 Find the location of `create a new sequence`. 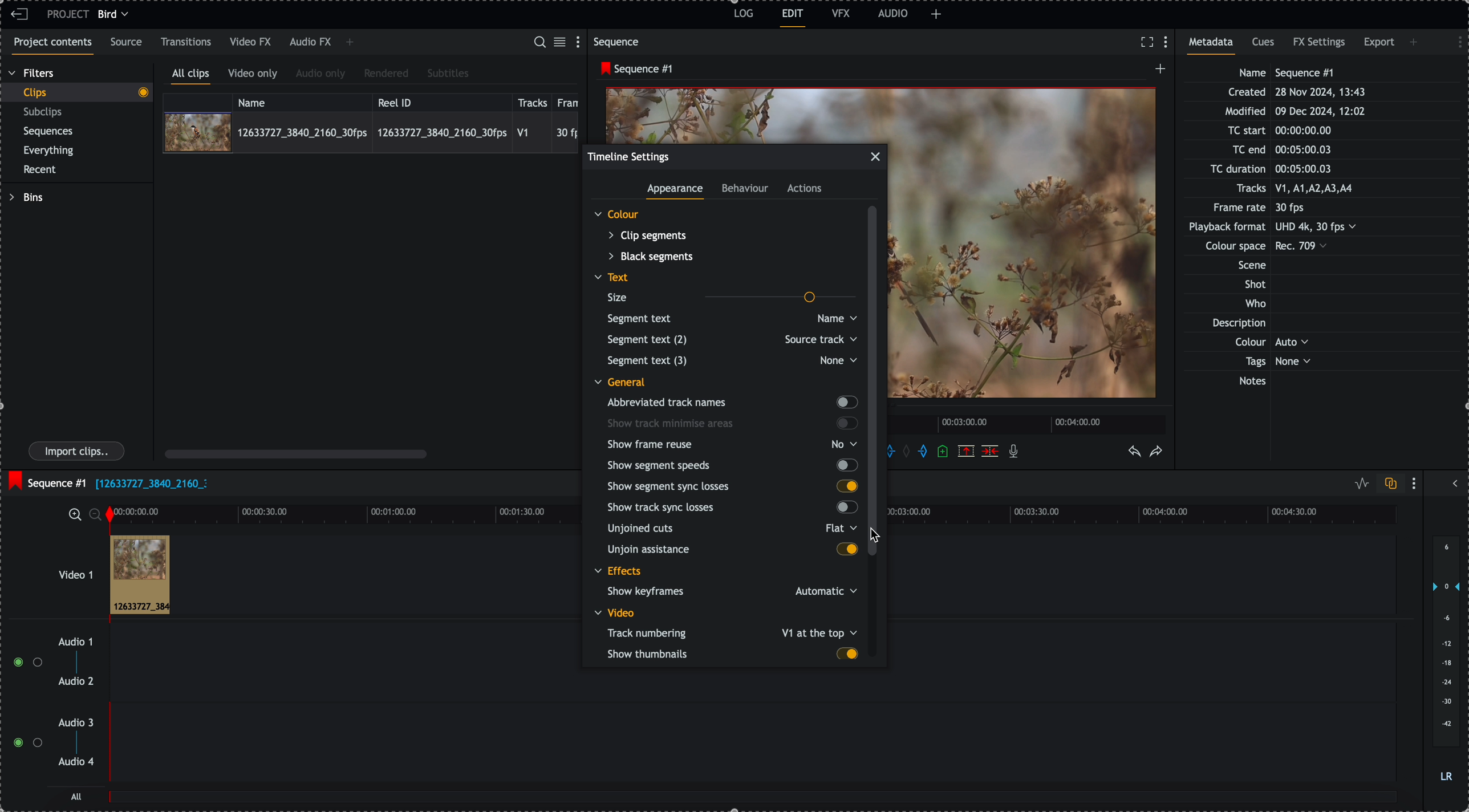

create a new sequence is located at coordinates (1158, 72).